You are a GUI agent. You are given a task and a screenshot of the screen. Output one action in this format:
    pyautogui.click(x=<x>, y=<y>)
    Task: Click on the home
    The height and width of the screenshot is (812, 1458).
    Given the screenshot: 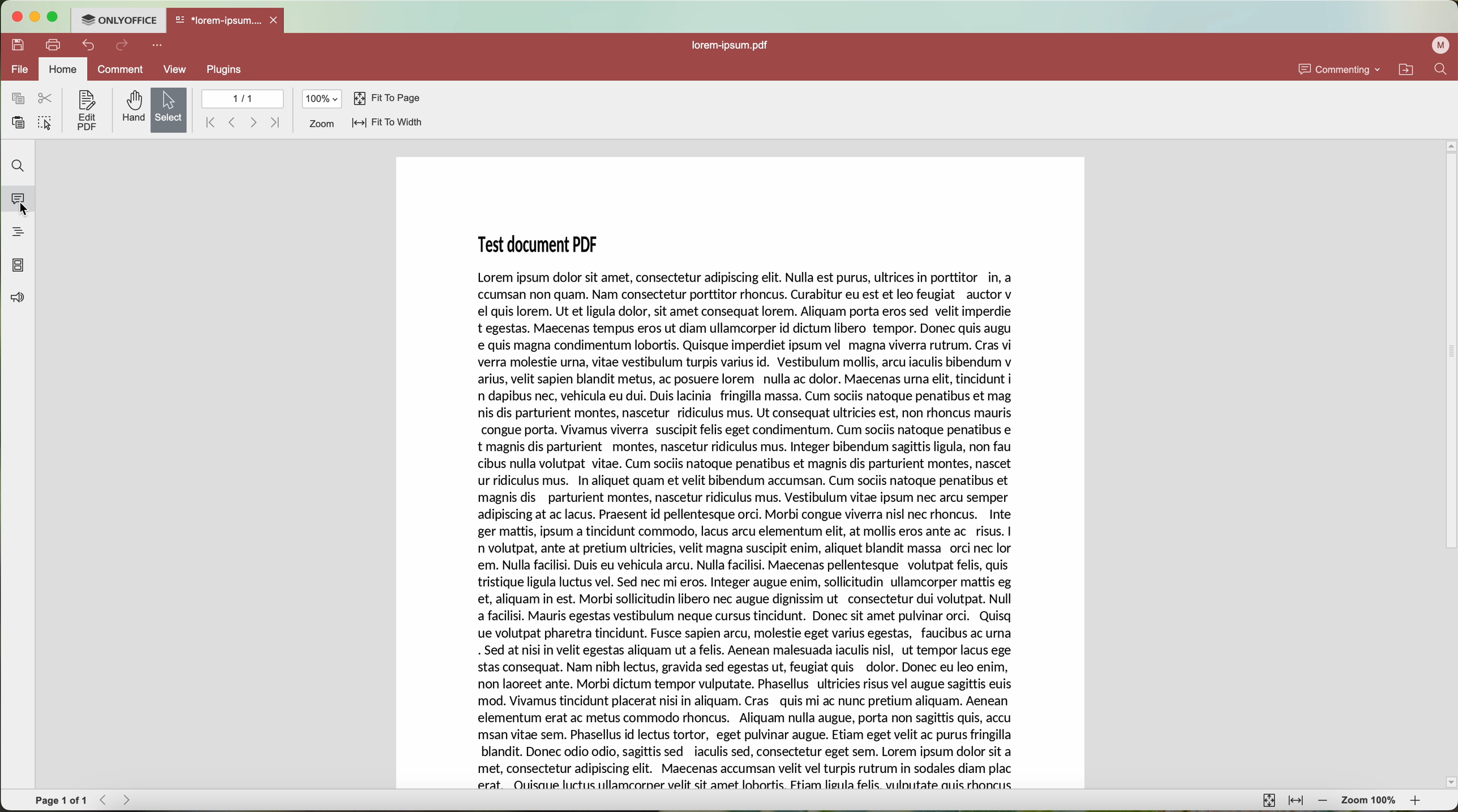 What is the action you would take?
    pyautogui.click(x=63, y=68)
    